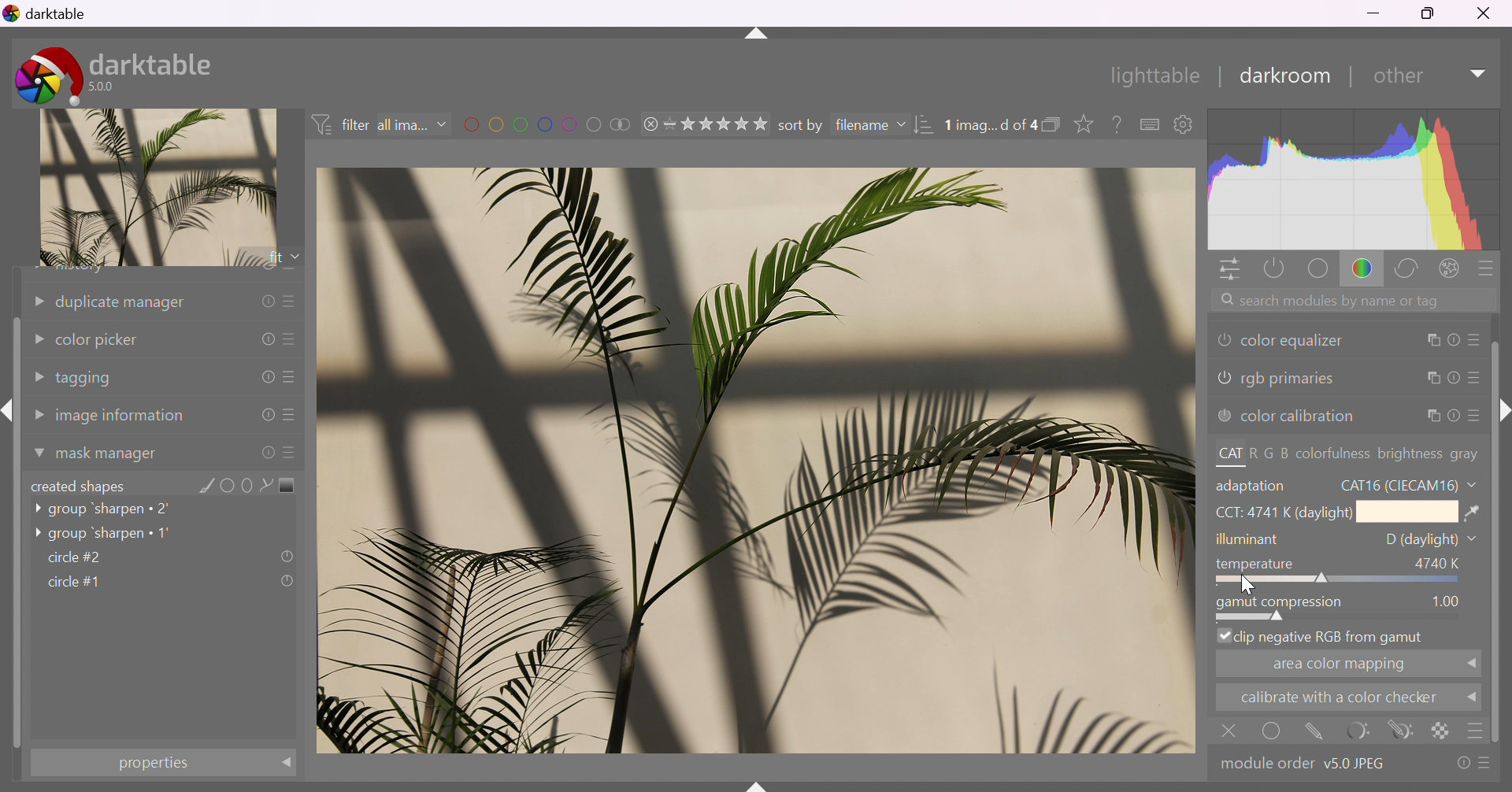  What do you see at coordinates (1345, 342) in the screenshot?
I see `color equalizer` at bounding box center [1345, 342].